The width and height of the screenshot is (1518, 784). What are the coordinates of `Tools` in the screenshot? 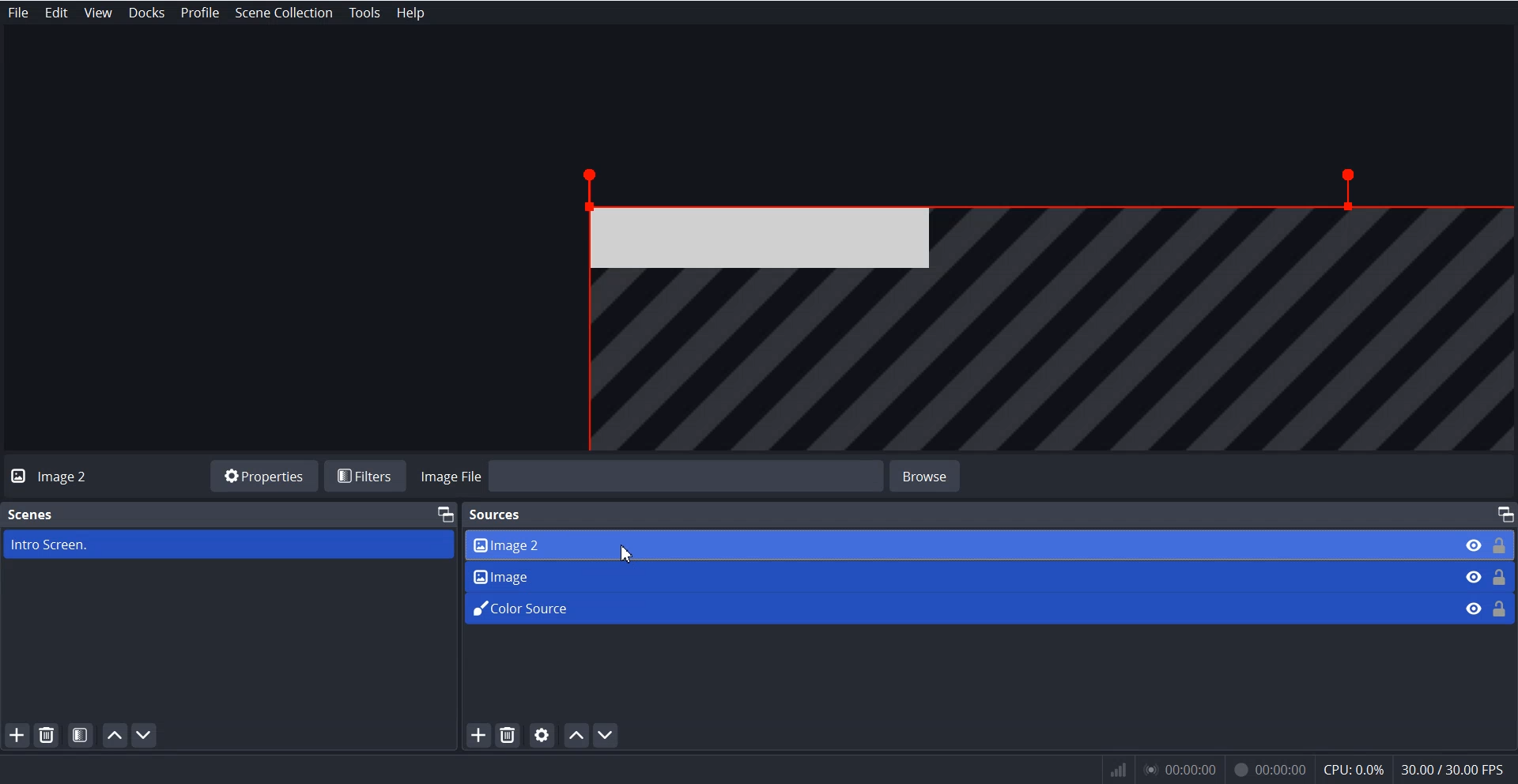 It's located at (365, 13).